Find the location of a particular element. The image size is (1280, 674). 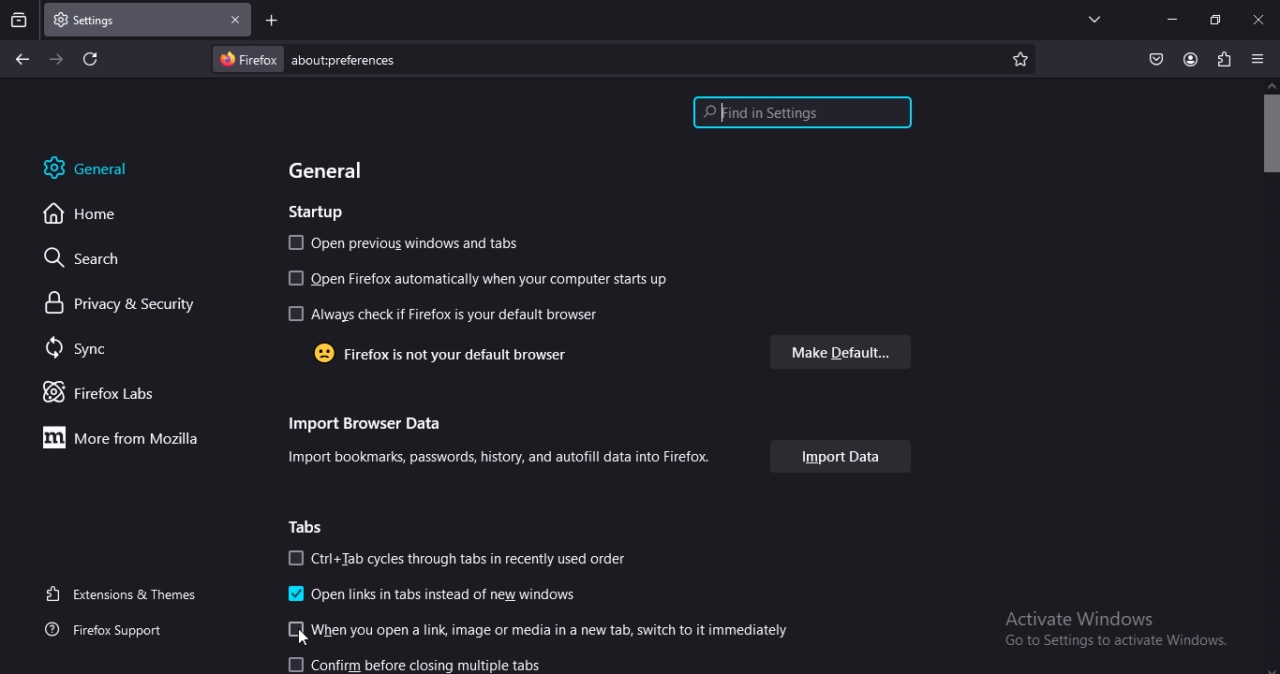

open application menu is located at coordinates (1258, 57).